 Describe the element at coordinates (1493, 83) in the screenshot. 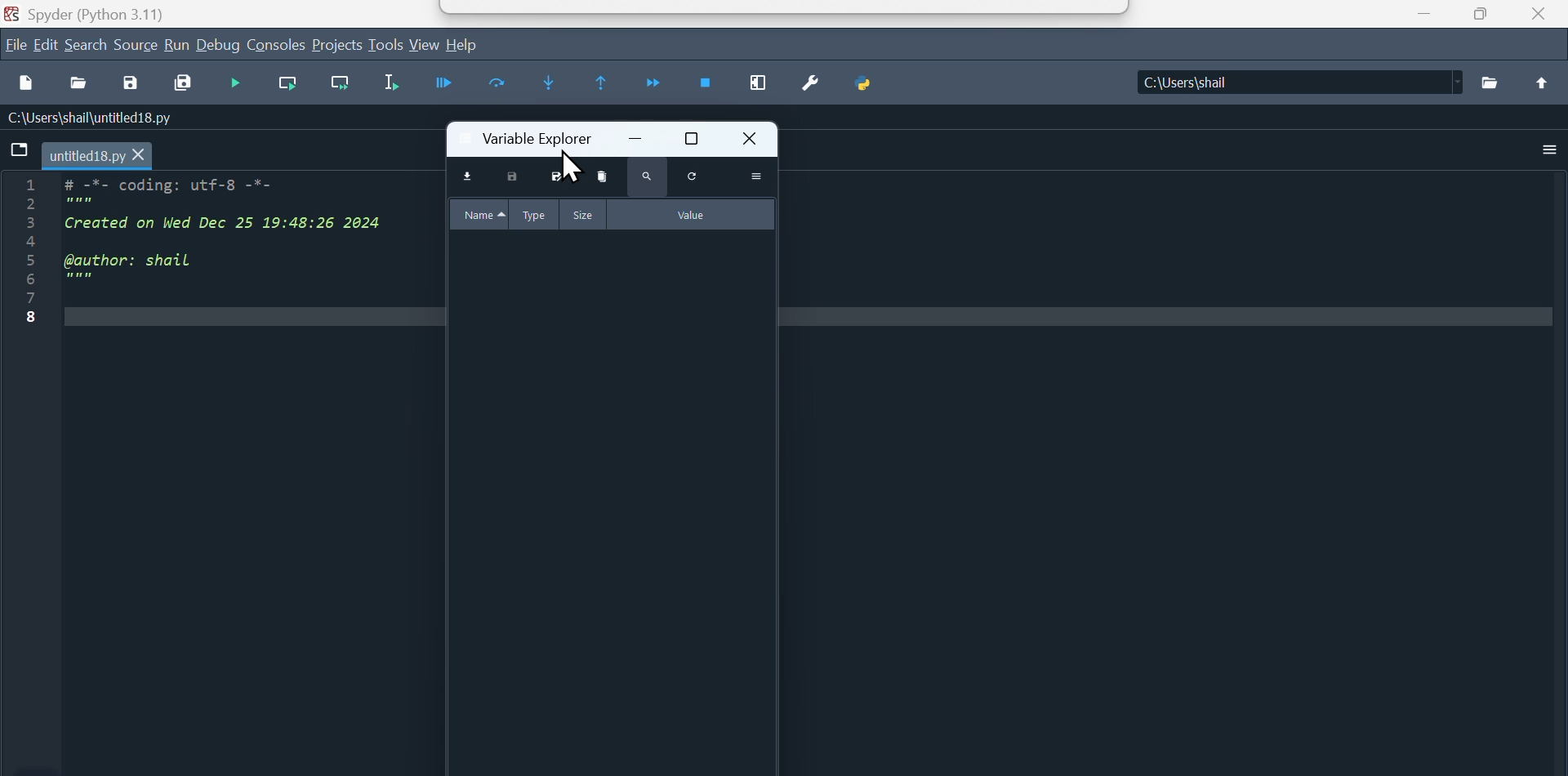

I see `open folder` at that location.